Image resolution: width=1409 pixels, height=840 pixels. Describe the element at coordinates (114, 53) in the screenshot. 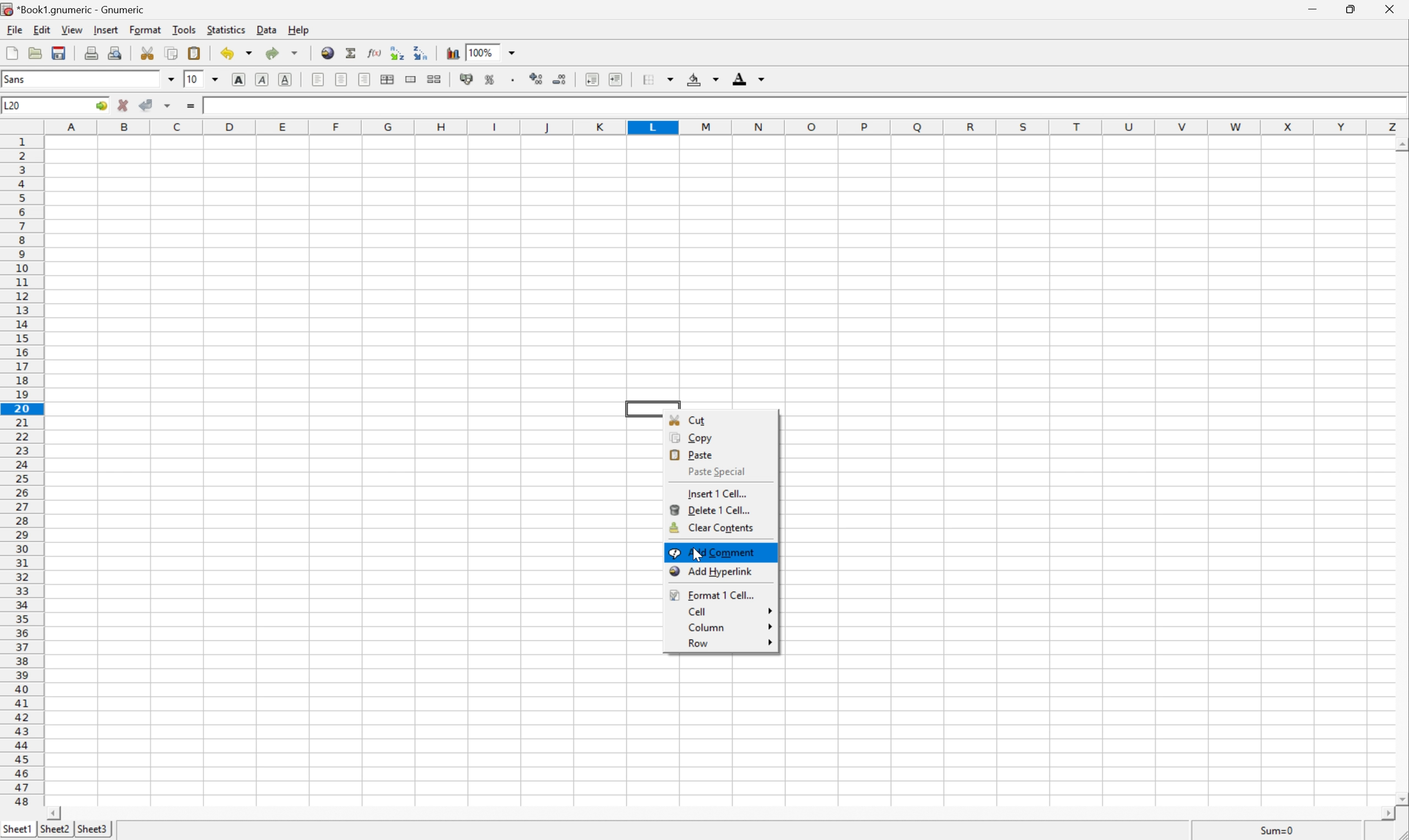

I see `Print preview` at that location.